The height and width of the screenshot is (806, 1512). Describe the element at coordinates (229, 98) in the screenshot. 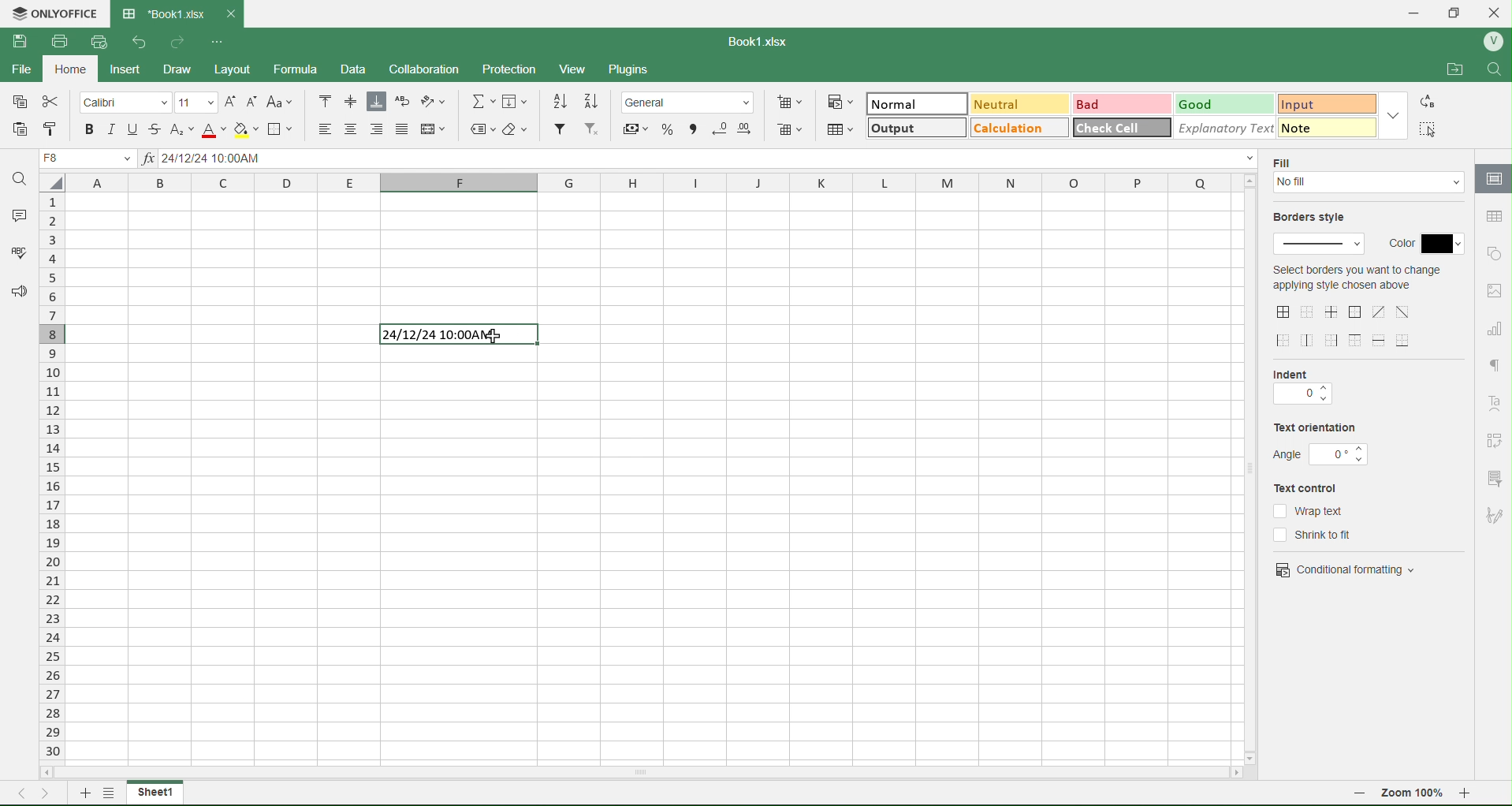

I see `Increment Font Size` at that location.